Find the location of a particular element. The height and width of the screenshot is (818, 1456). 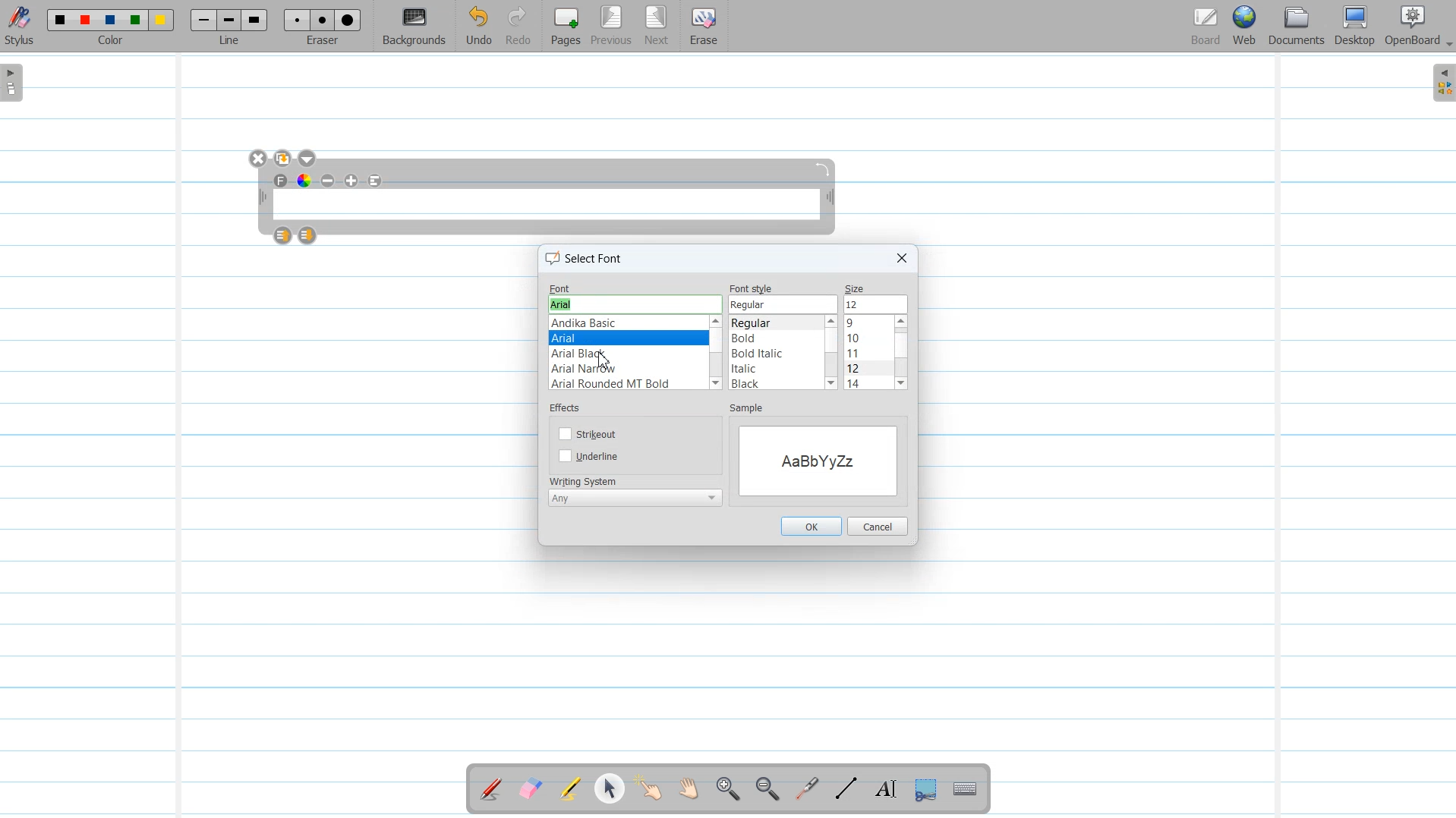

Font Type is located at coordinates (625, 352).